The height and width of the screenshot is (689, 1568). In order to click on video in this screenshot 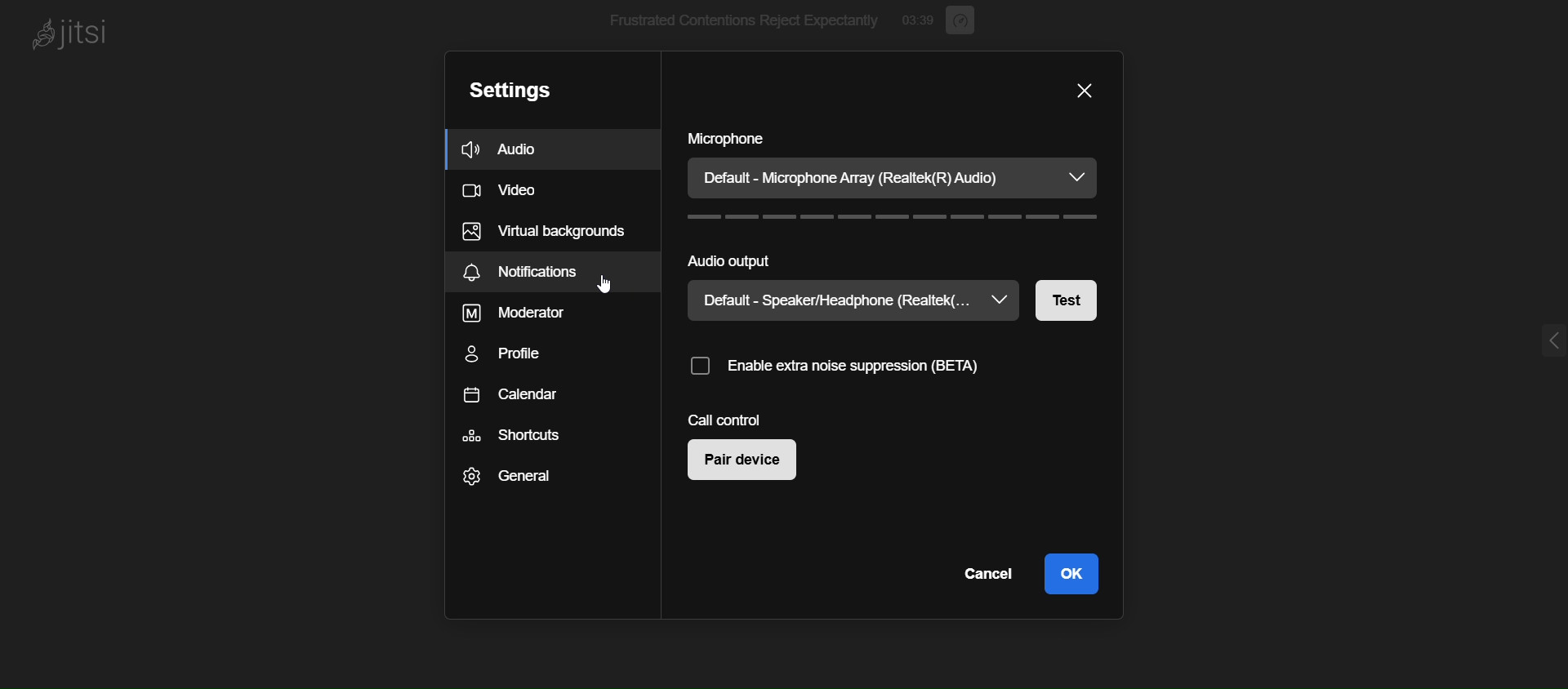, I will do `click(506, 190)`.